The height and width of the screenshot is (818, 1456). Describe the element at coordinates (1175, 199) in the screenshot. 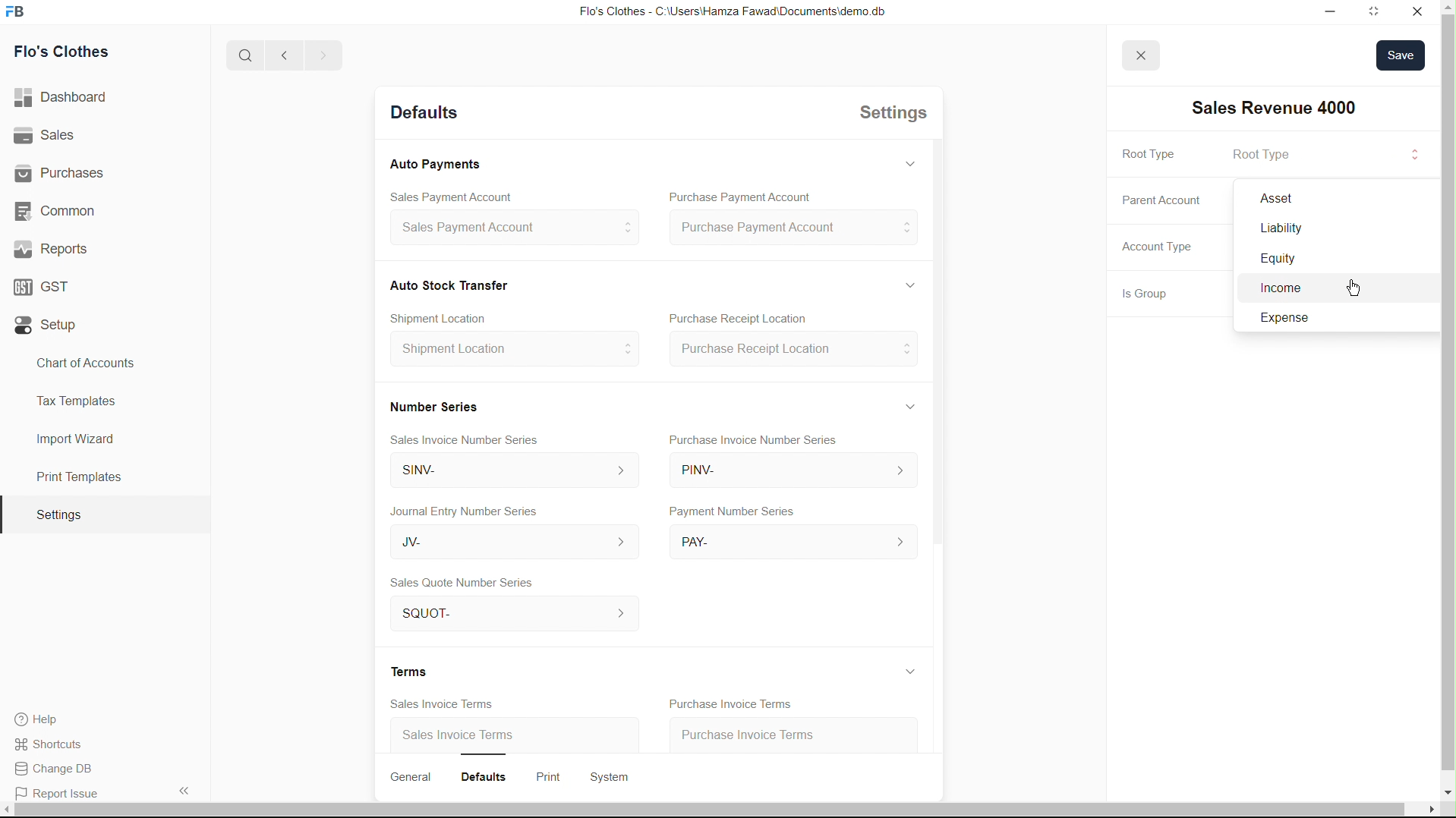

I see `Parent Account` at that location.